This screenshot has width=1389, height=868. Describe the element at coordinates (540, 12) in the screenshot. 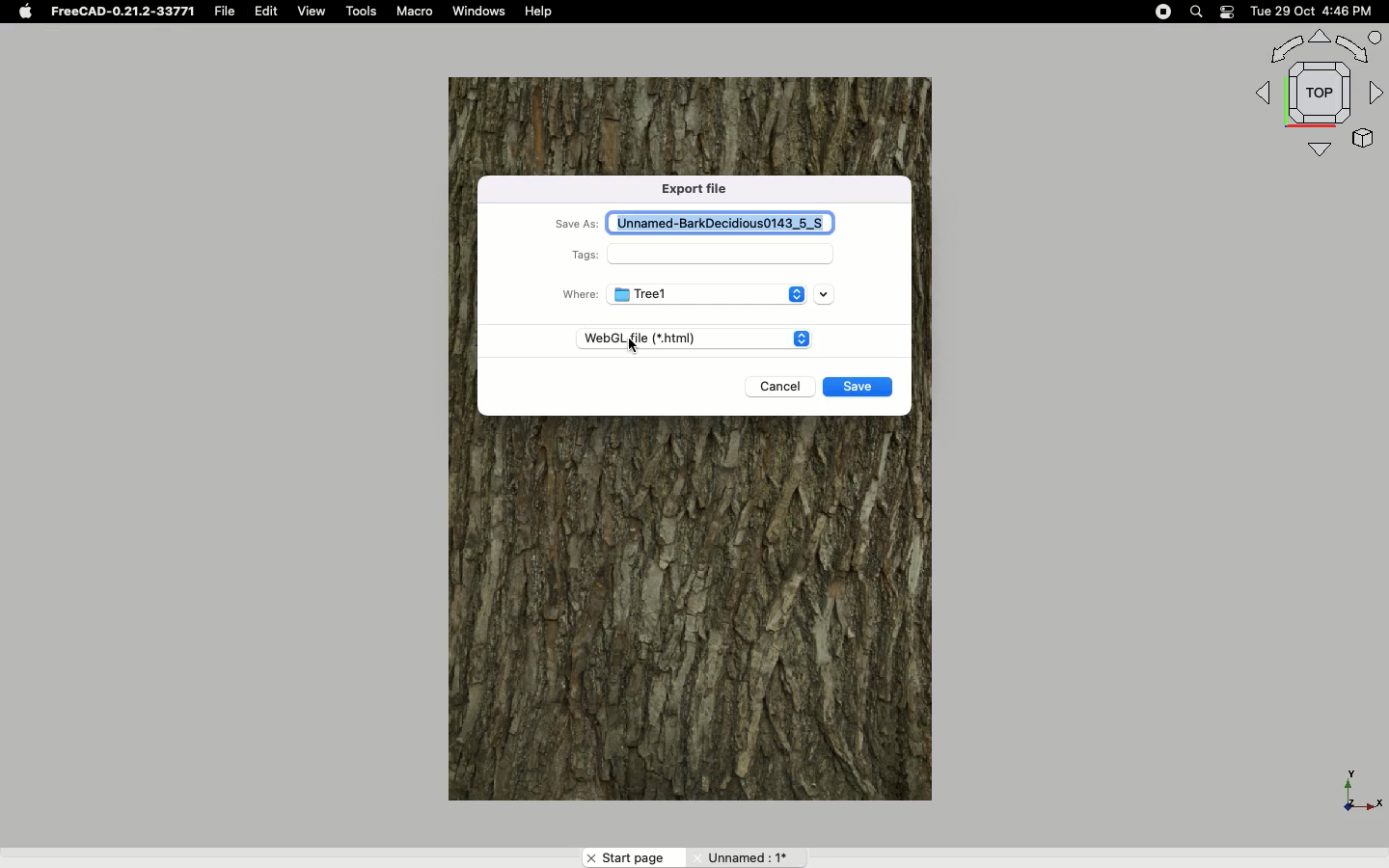

I see `Help` at that location.